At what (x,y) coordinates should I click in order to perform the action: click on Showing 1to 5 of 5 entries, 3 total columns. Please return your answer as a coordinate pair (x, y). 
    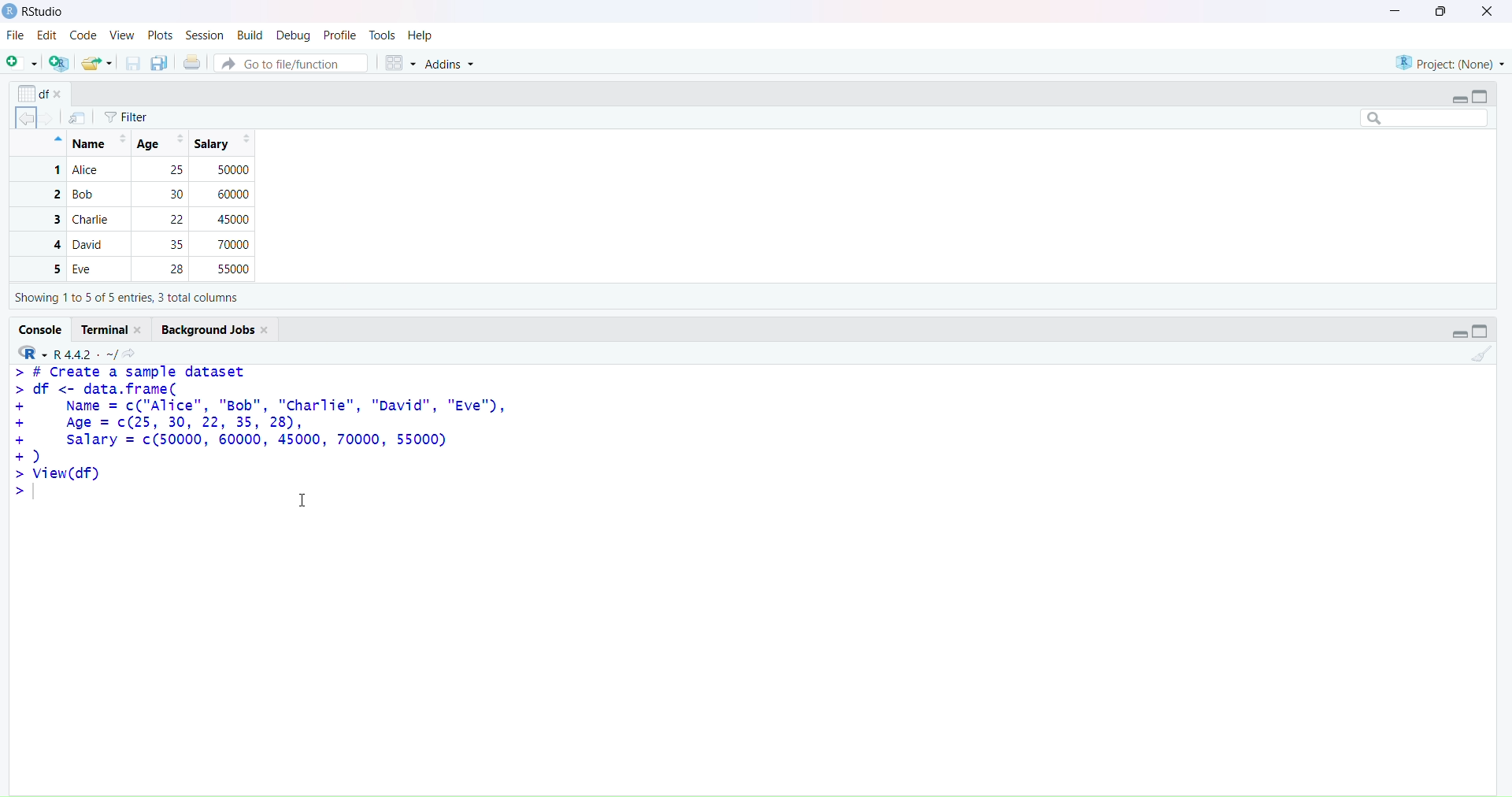
    Looking at the image, I should click on (127, 299).